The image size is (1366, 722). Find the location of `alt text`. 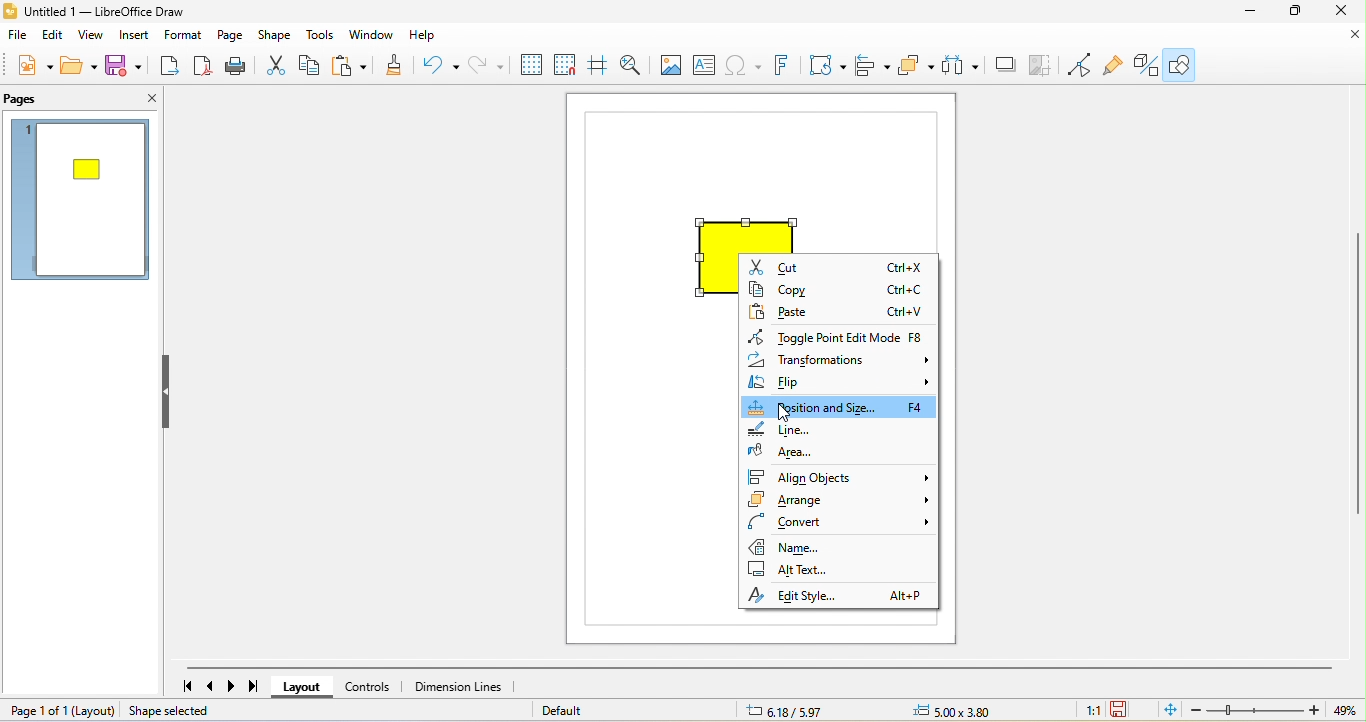

alt text is located at coordinates (835, 567).